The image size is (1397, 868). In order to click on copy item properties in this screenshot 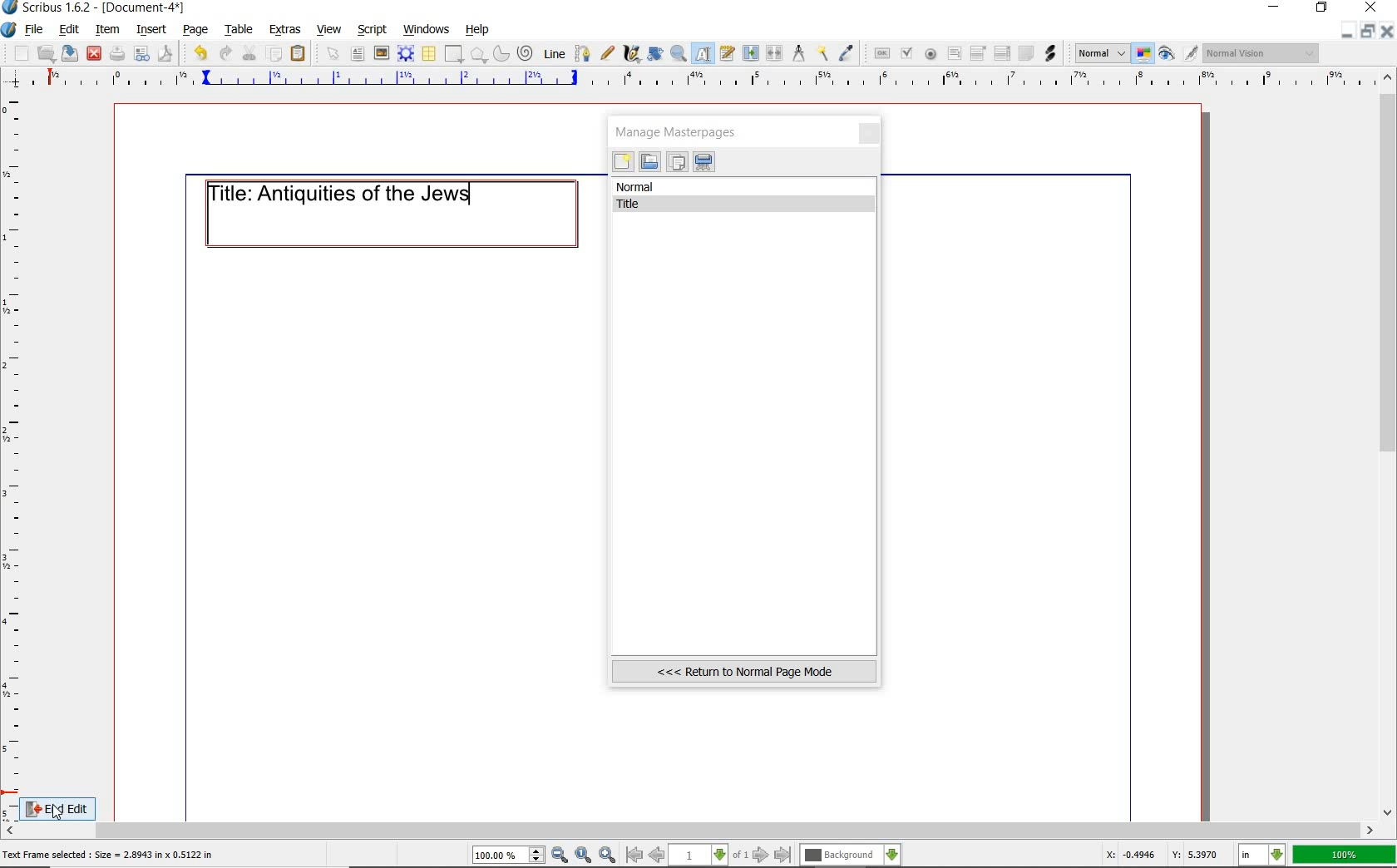, I will do `click(824, 52)`.